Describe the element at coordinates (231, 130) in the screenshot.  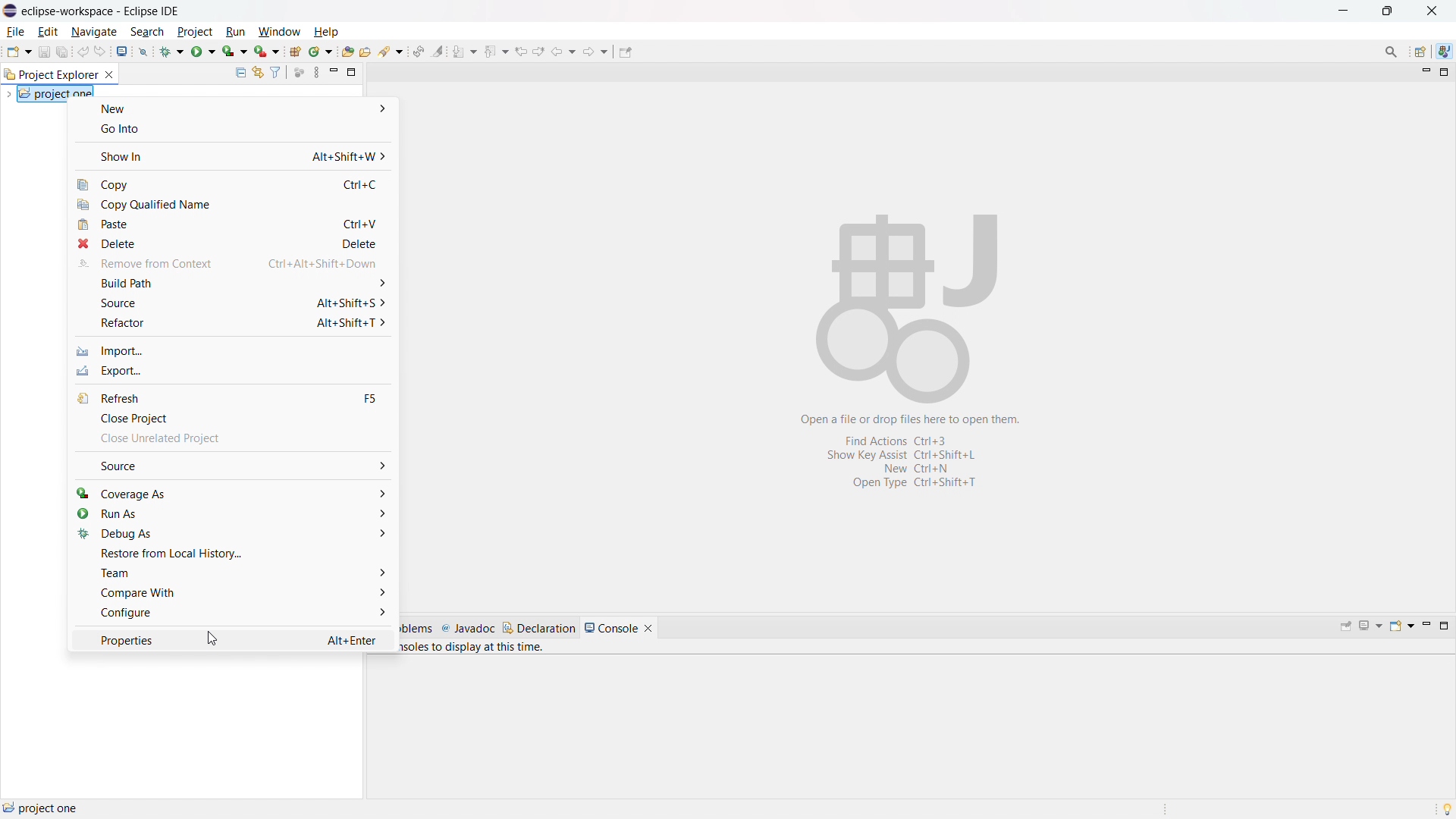
I see `go into` at that location.